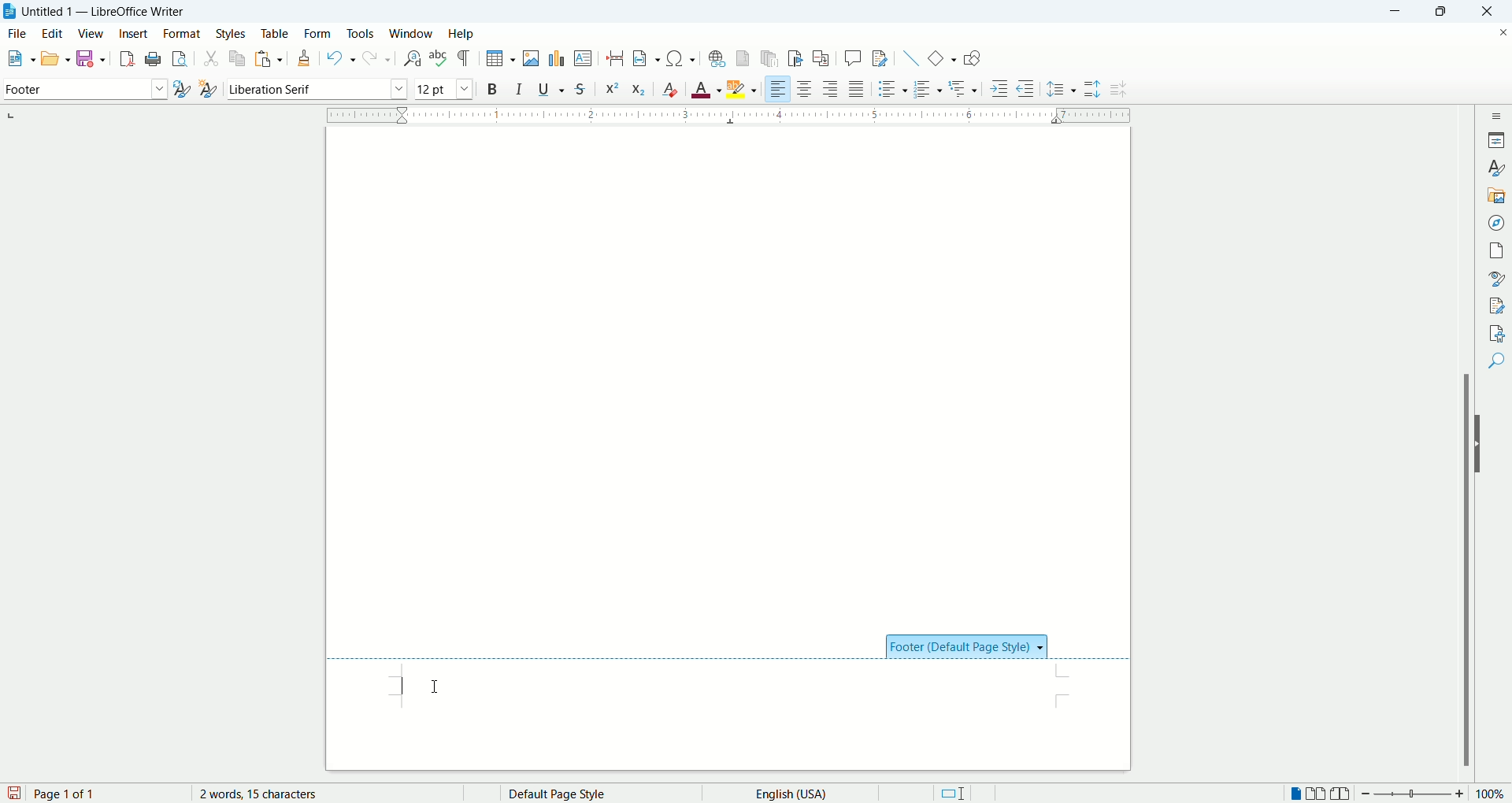 The image size is (1512, 803). I want to click on manage changes, so click(1498, 306).